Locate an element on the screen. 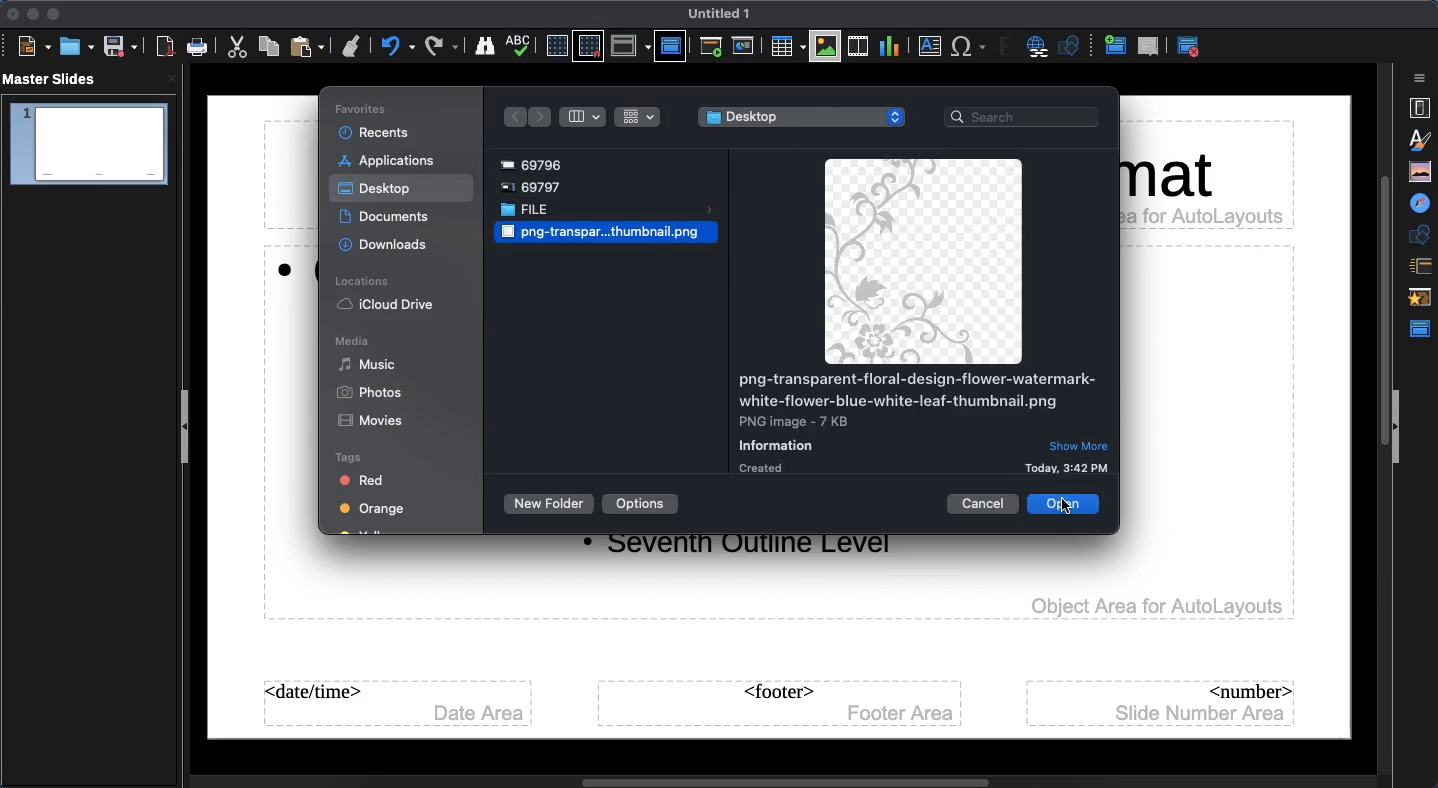 This screenshot has width=1438, height=788. iCloud Drive is located at coordinates (389, 305).